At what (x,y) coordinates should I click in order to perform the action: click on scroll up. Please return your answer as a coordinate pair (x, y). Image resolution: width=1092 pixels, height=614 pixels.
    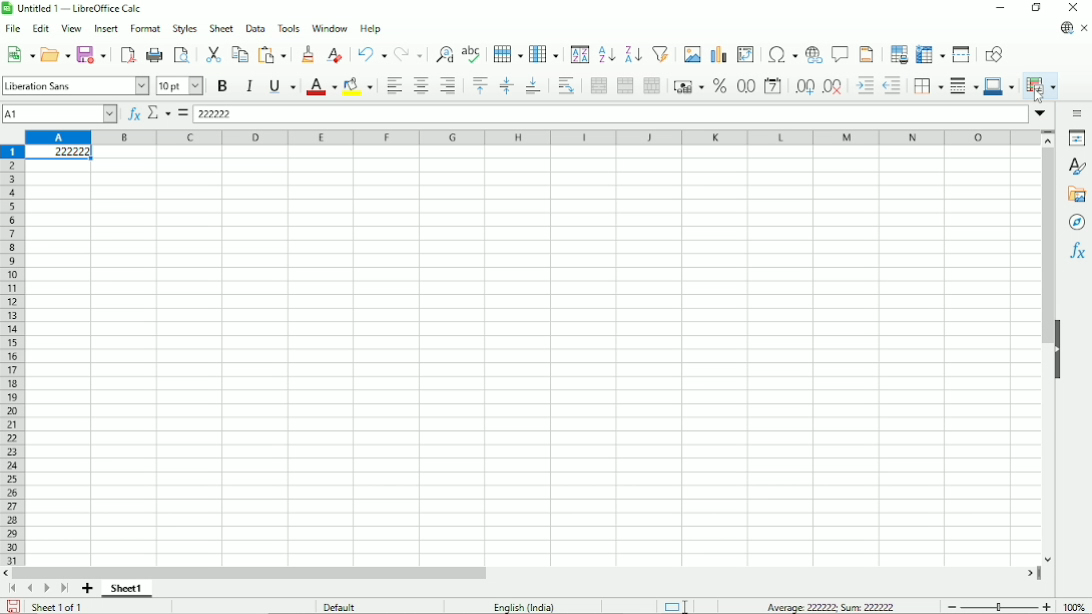
    Looking at the image, I should click on (1048, 140).